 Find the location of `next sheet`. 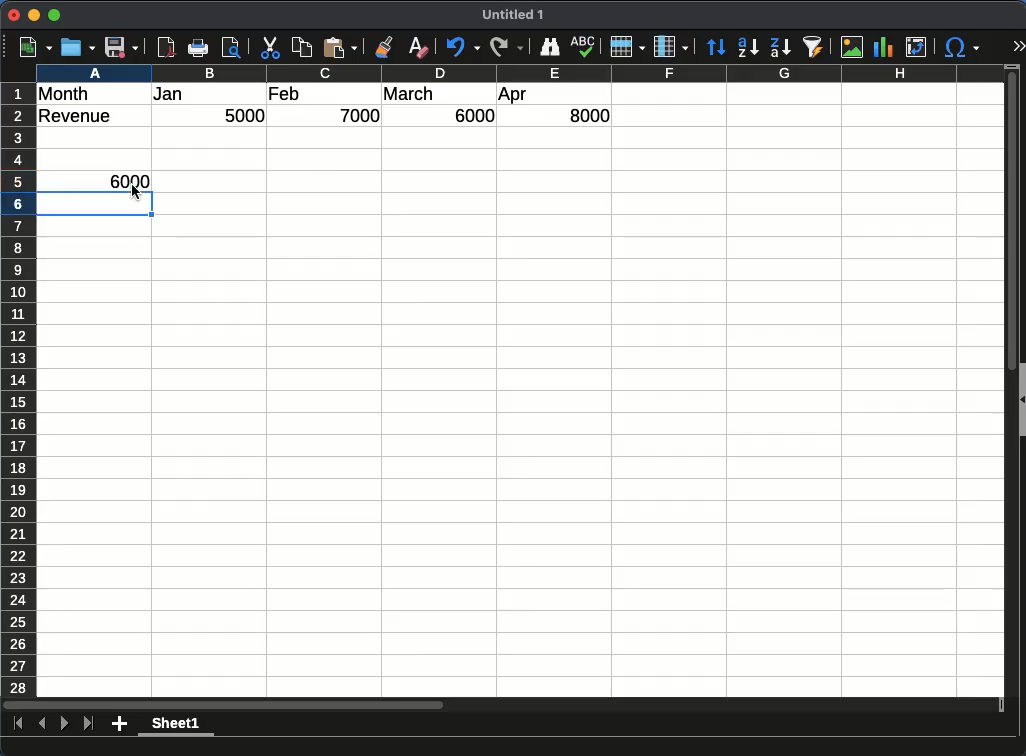

next sheet is located at coordinates (65, 723).